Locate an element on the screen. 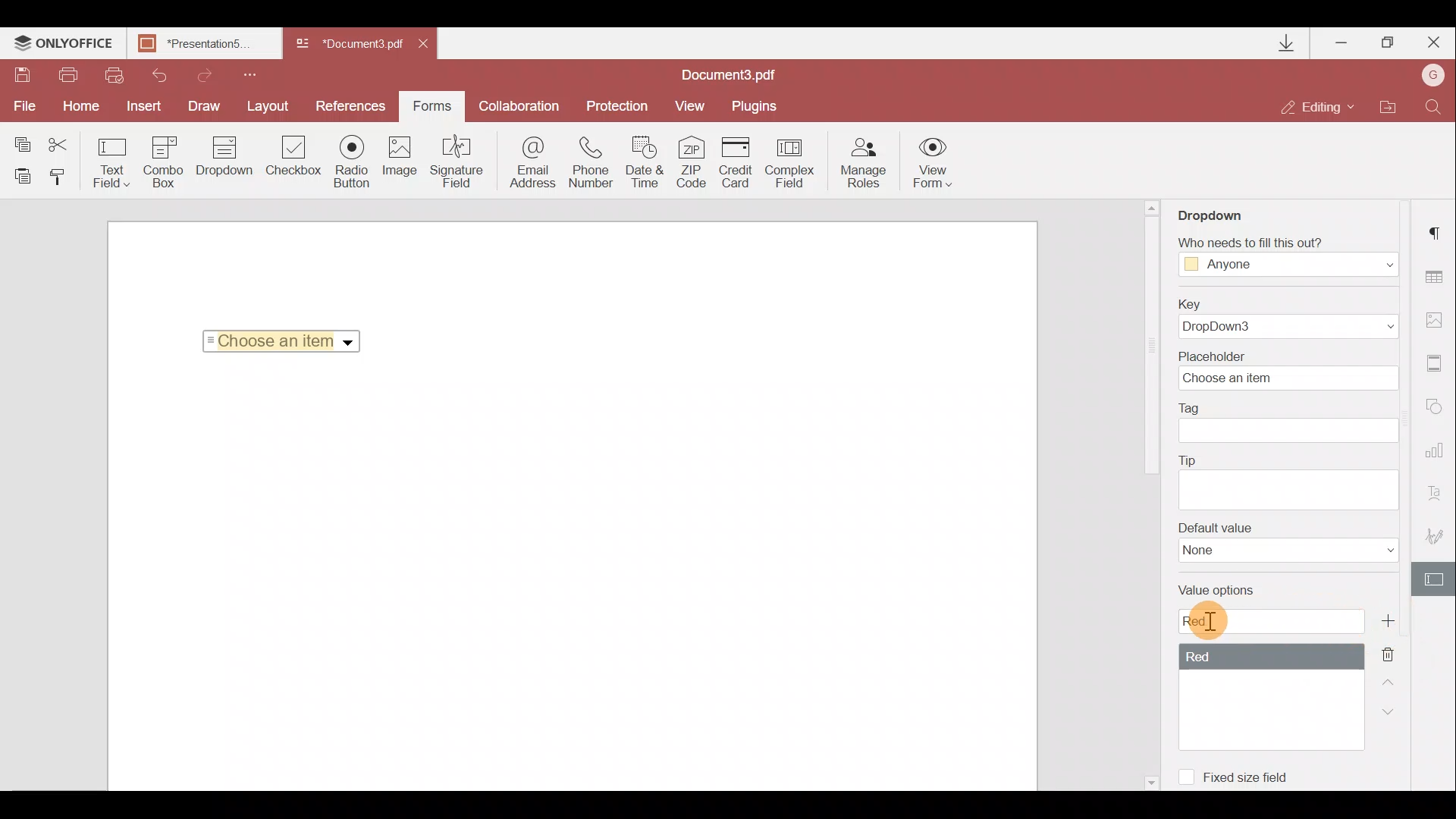 Image resolution: width=1456 pixels, height=819 pixels. Print file is located at coordinates (73, 75).